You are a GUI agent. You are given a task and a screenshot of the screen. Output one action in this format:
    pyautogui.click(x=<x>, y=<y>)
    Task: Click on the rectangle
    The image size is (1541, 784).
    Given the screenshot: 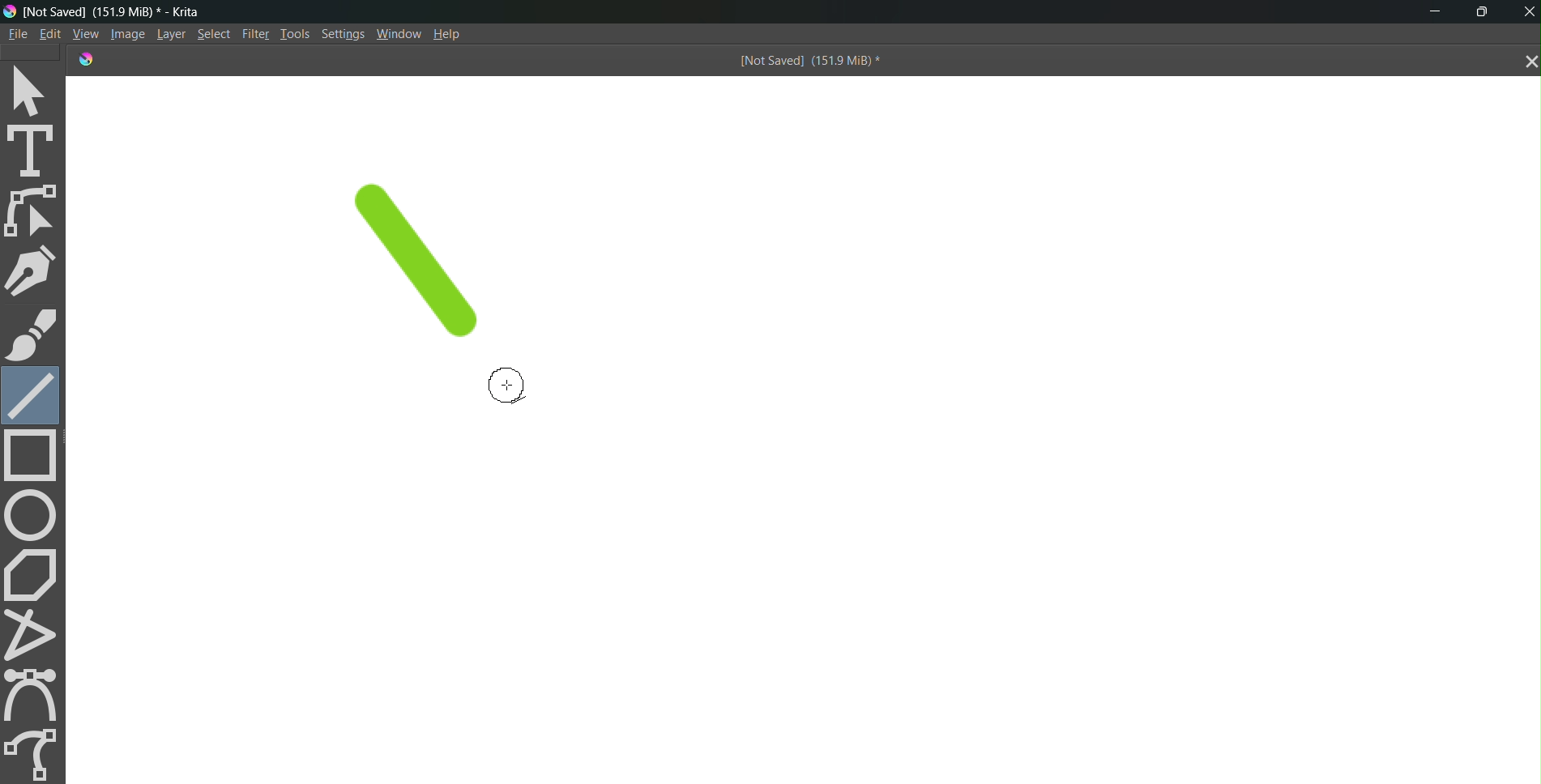 What is the action you would take?
    pyautogui.click(x=36, y=457)
    